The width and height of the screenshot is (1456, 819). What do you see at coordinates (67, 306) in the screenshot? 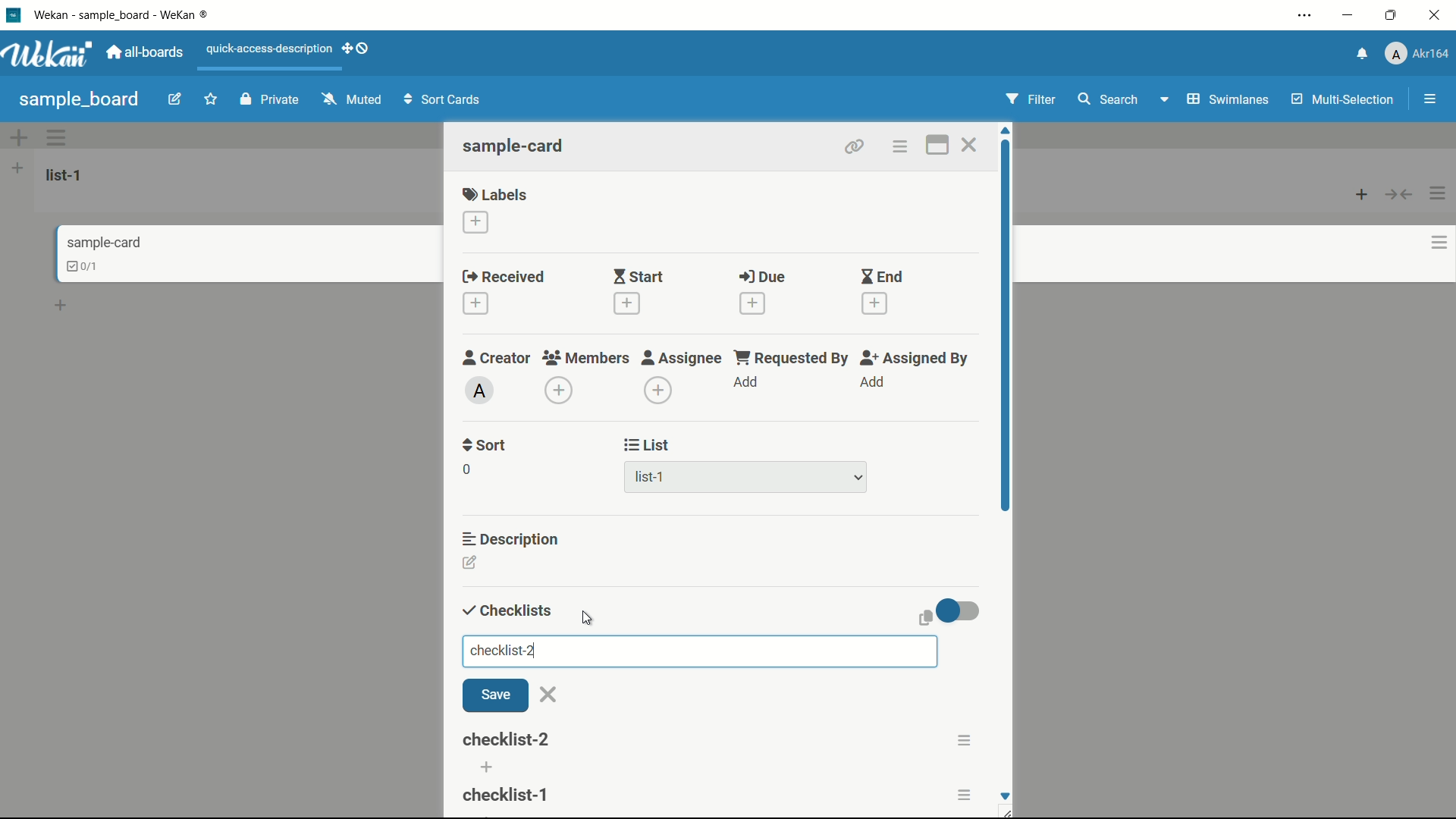
I see `add card bottom` at bounding box center [67, 306].